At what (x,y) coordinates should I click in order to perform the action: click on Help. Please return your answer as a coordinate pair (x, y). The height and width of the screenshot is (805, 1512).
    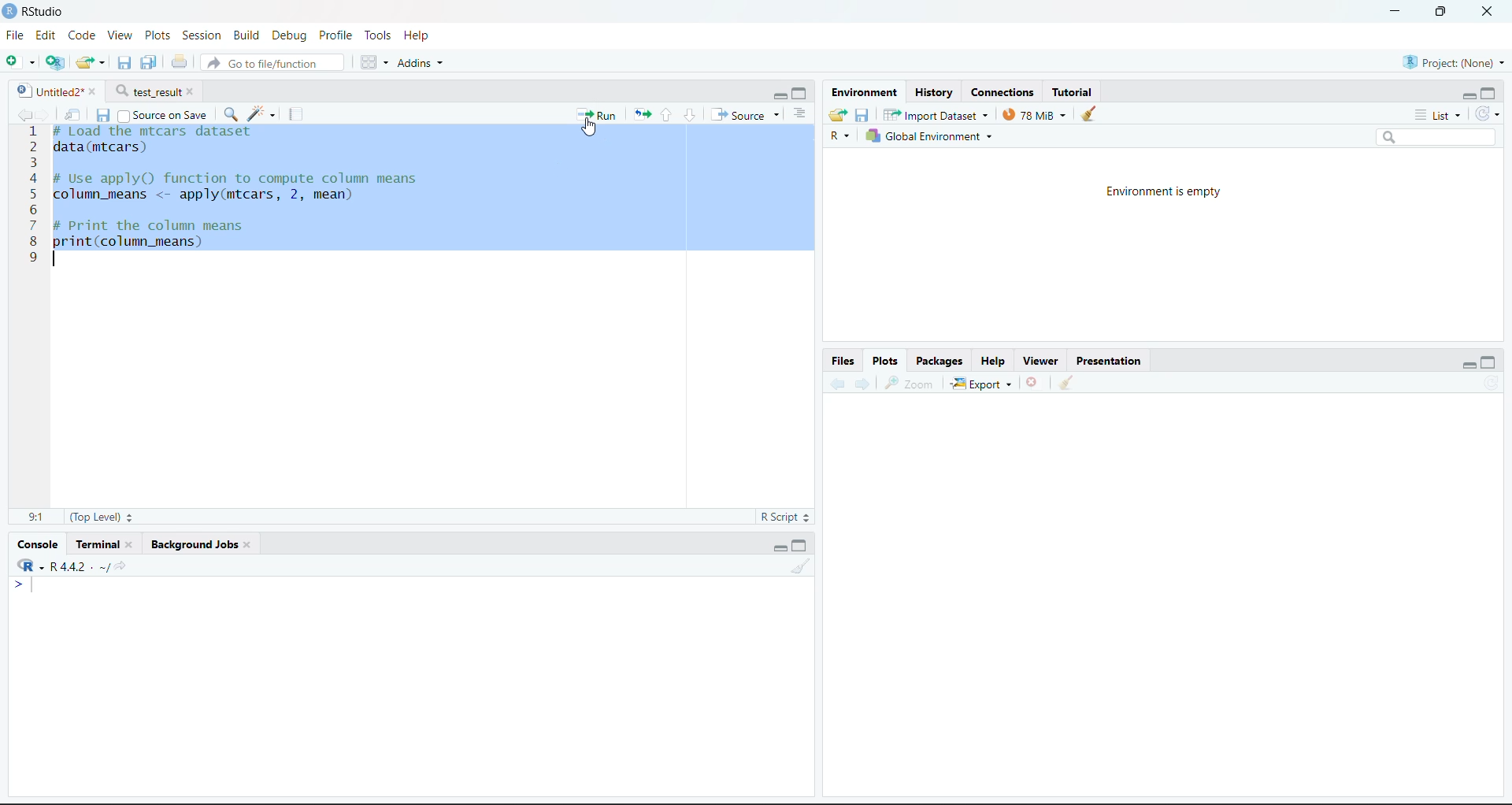
    Looking at the image, I should click on (422, 35).